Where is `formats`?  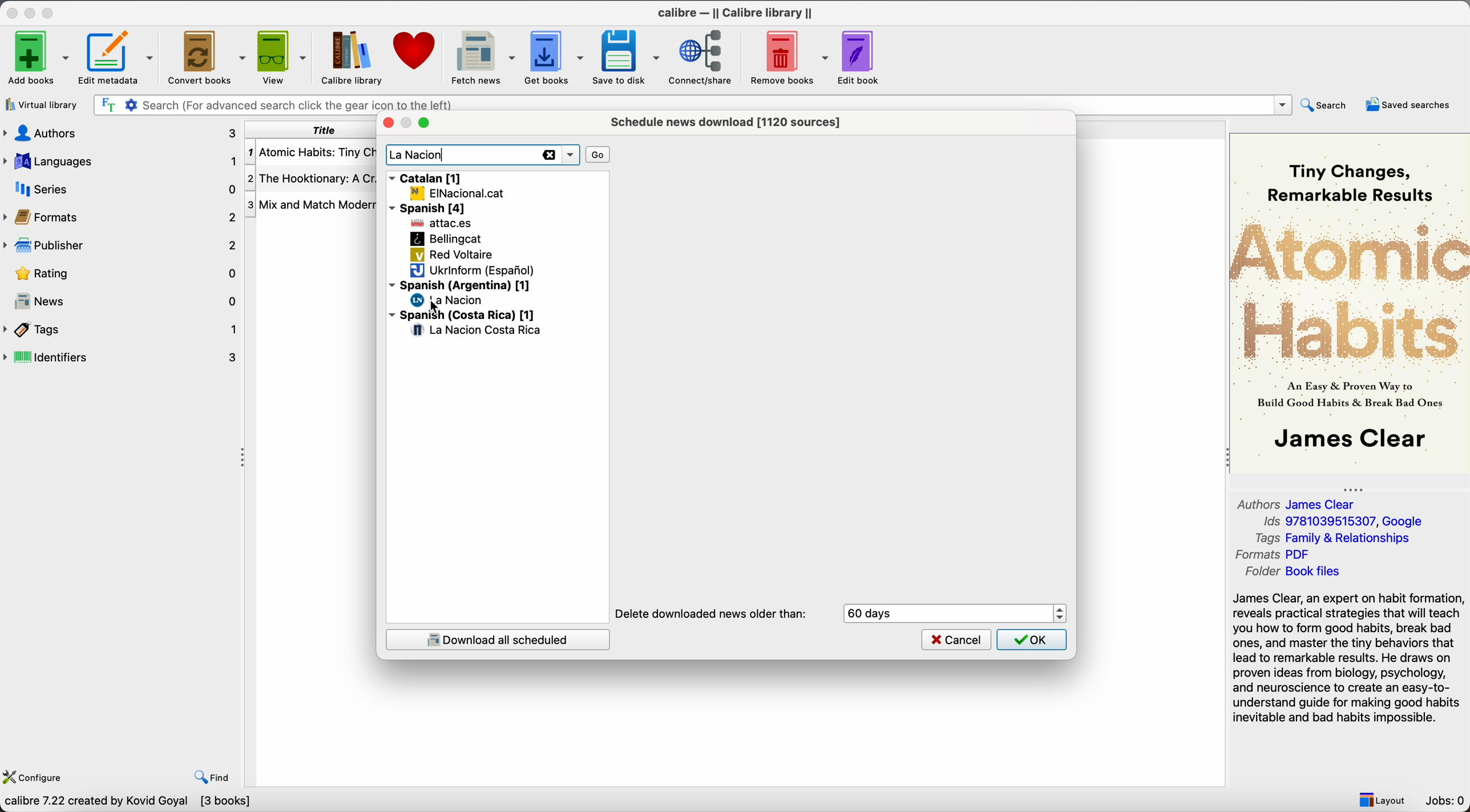 formats is located at coordinates (119, 216).